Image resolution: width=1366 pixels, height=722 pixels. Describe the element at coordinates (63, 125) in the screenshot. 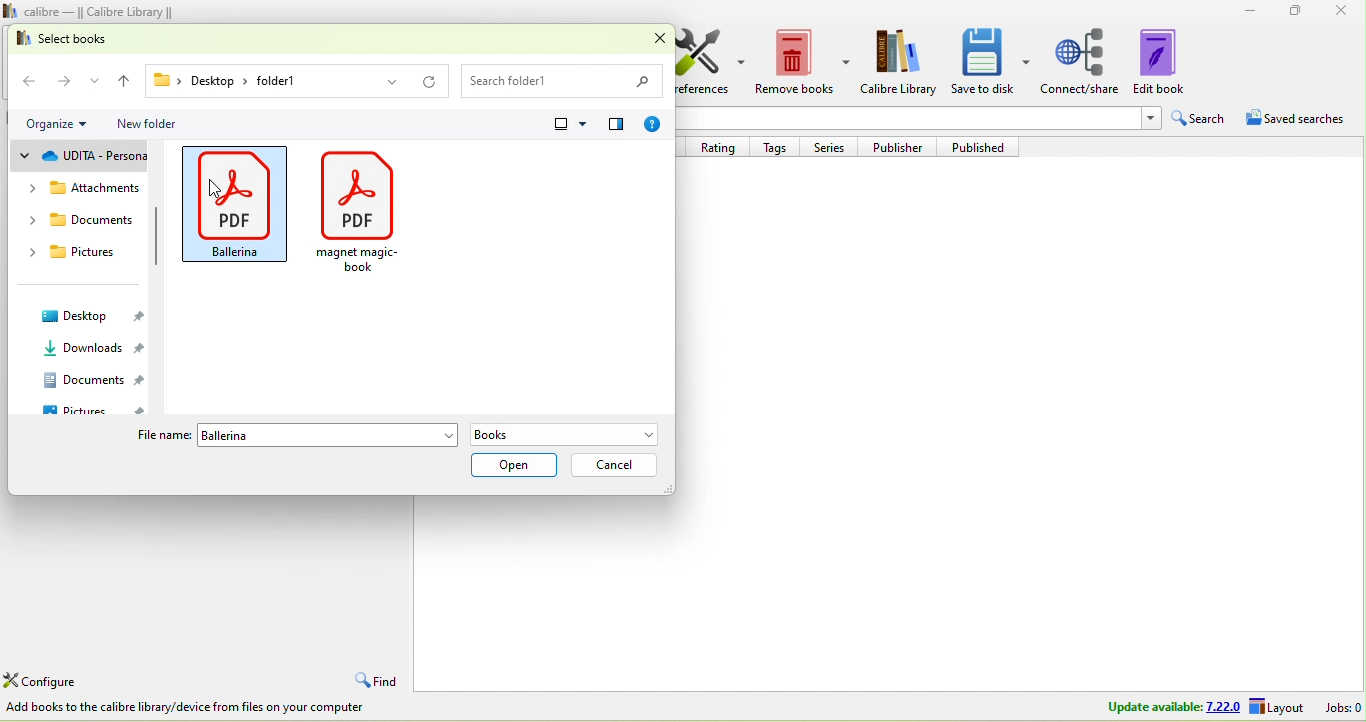

I see `organize` at that location.